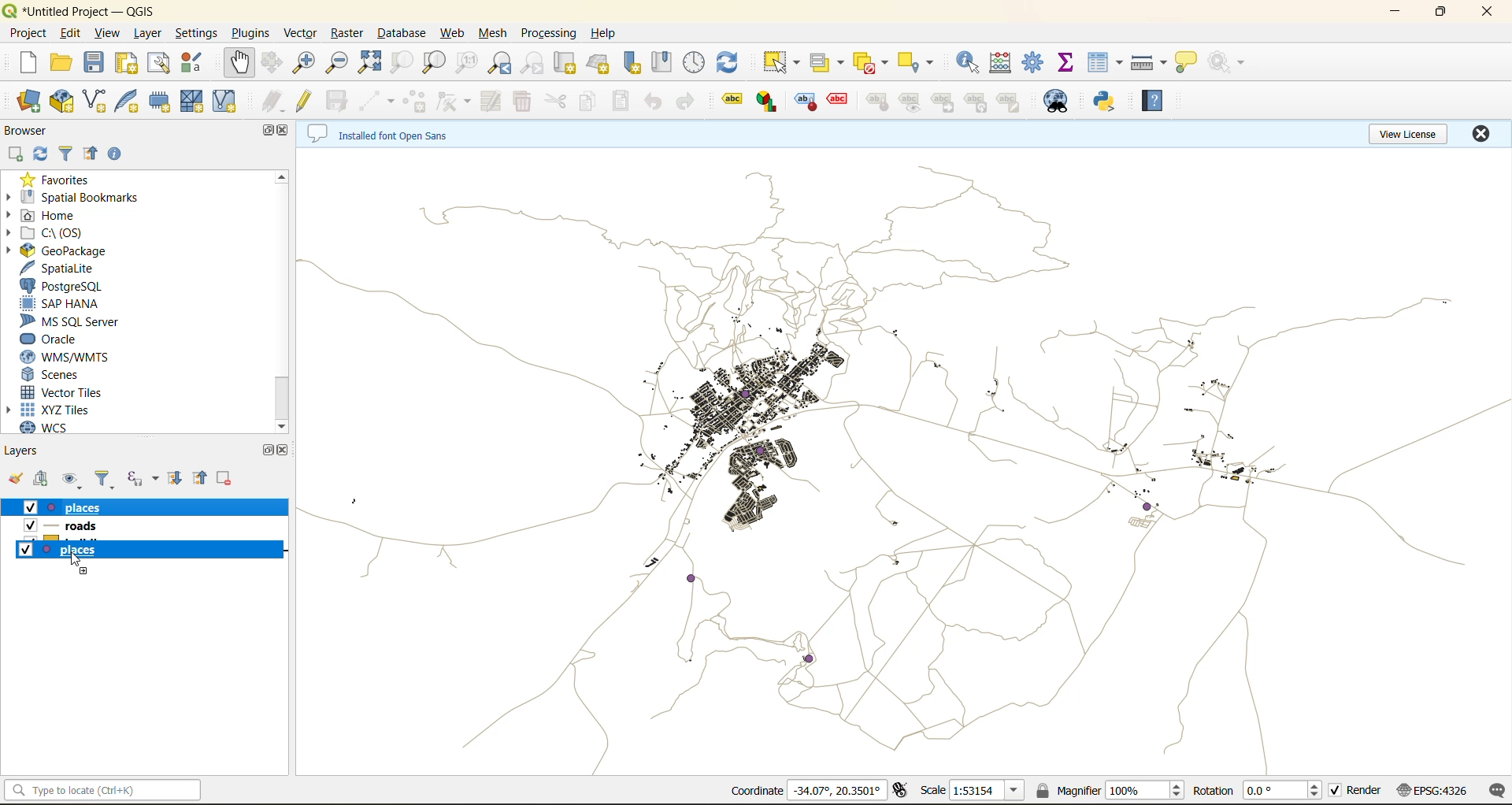 This screenshot has height=805, width=1512. I want to click on open, so click(17, 480).